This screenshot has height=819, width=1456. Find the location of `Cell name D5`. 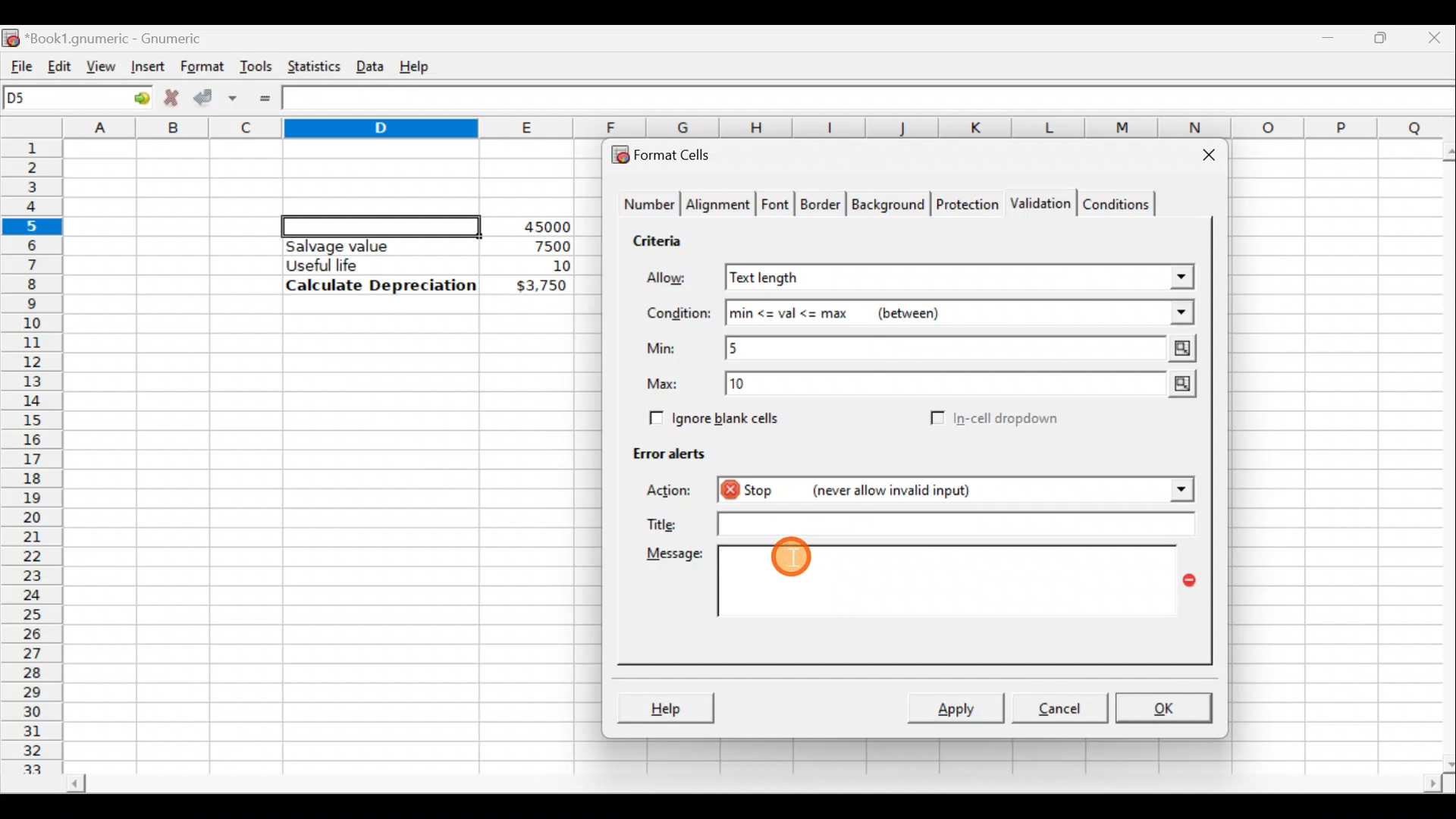

Cell name D5 is located at coordinates (59, 99).